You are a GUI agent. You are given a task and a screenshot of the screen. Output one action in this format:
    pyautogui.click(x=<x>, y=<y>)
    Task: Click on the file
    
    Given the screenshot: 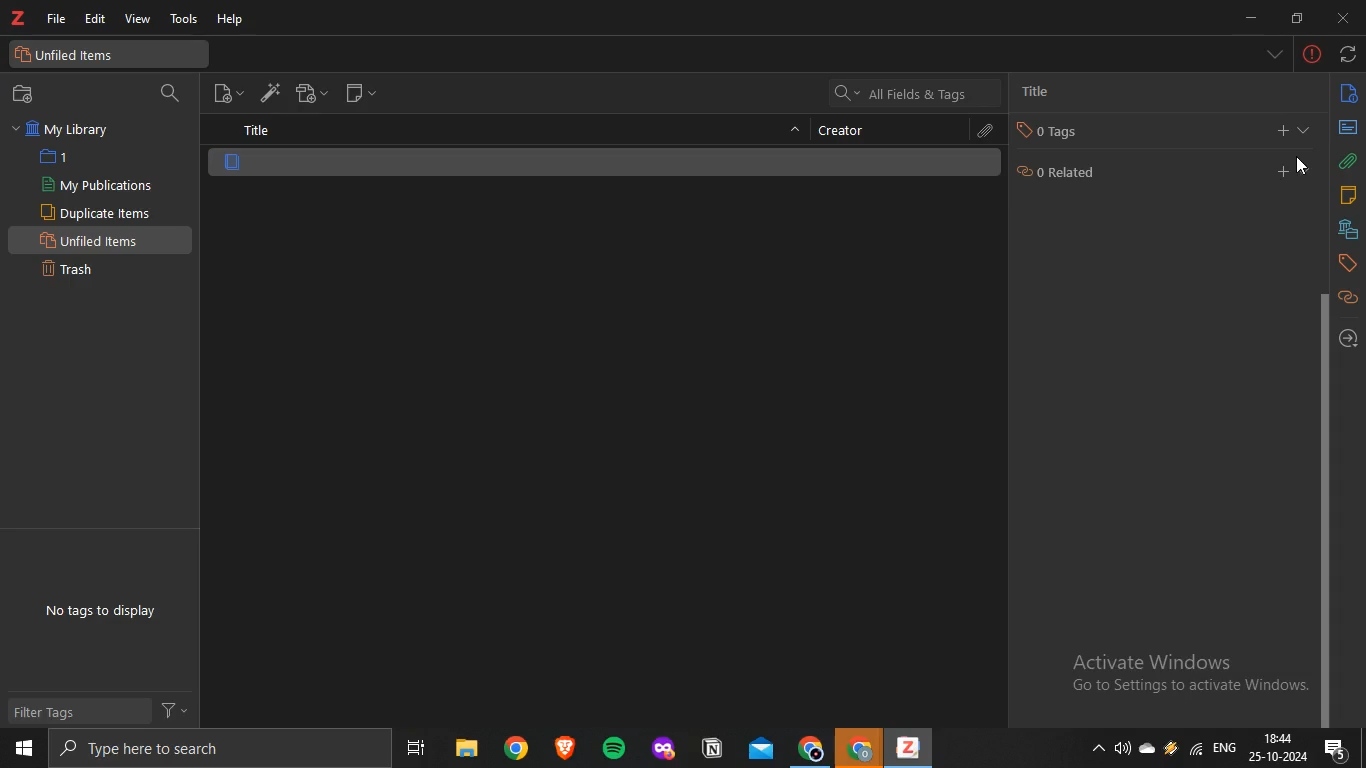 What is the action you would take?
    pyautogui.click(x=55, y=18)
    